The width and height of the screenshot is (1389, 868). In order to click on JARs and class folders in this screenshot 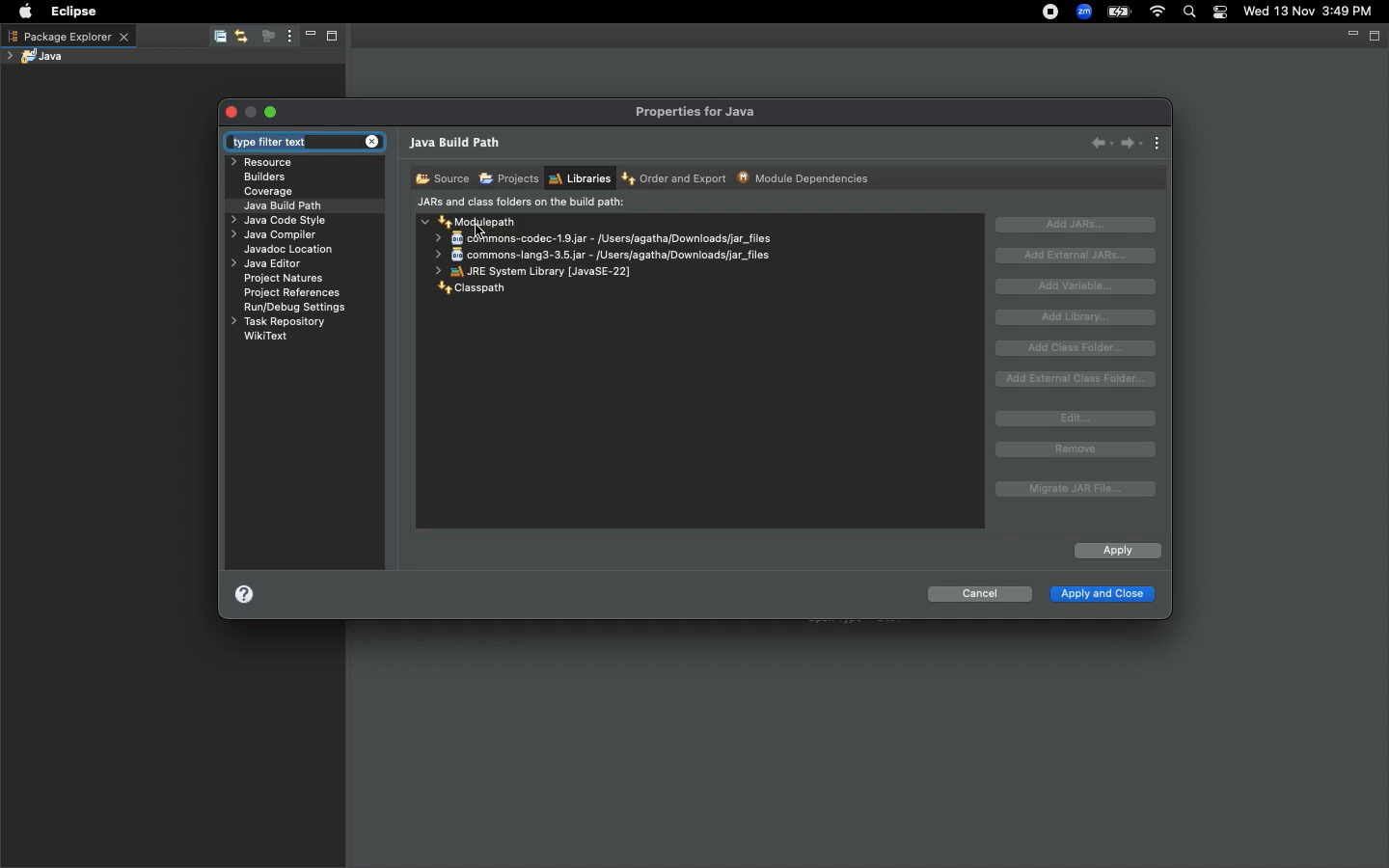, I will do `click(521, 203)`.